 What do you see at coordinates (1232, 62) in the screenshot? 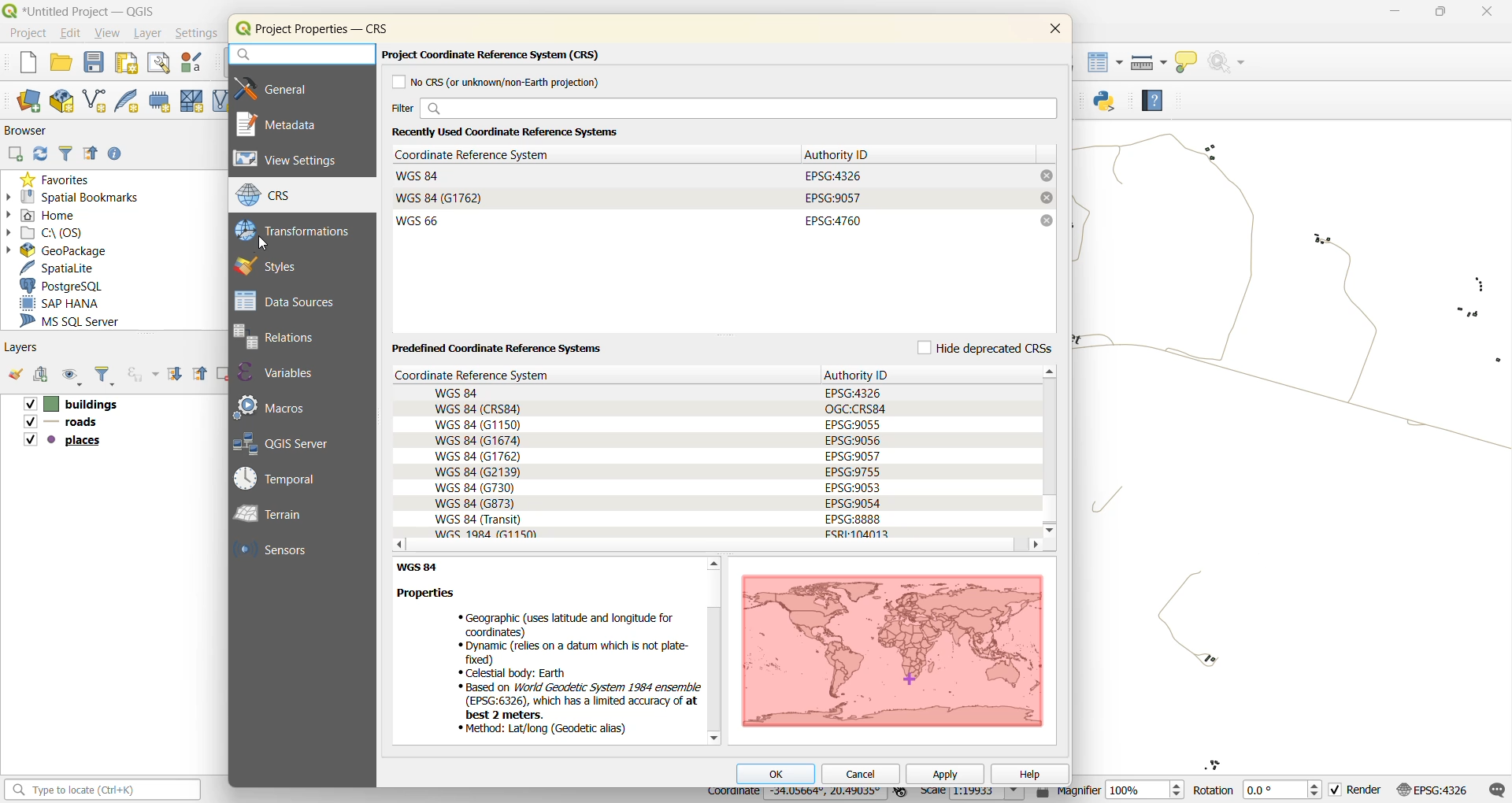
I see `no action` at bounding box center [1232, 62].